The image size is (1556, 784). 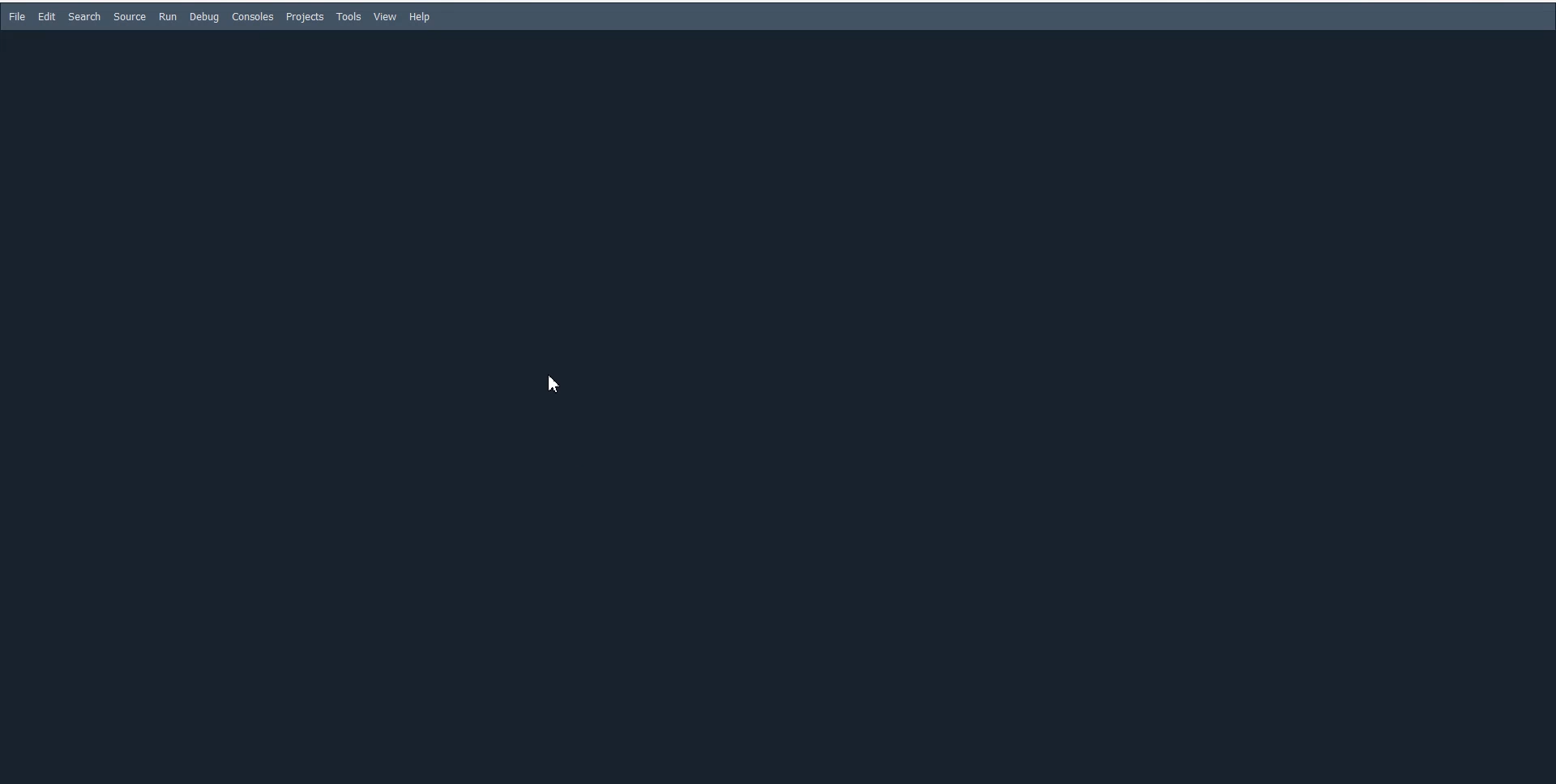 I want to click on Debug, so click(x=203, y=17).